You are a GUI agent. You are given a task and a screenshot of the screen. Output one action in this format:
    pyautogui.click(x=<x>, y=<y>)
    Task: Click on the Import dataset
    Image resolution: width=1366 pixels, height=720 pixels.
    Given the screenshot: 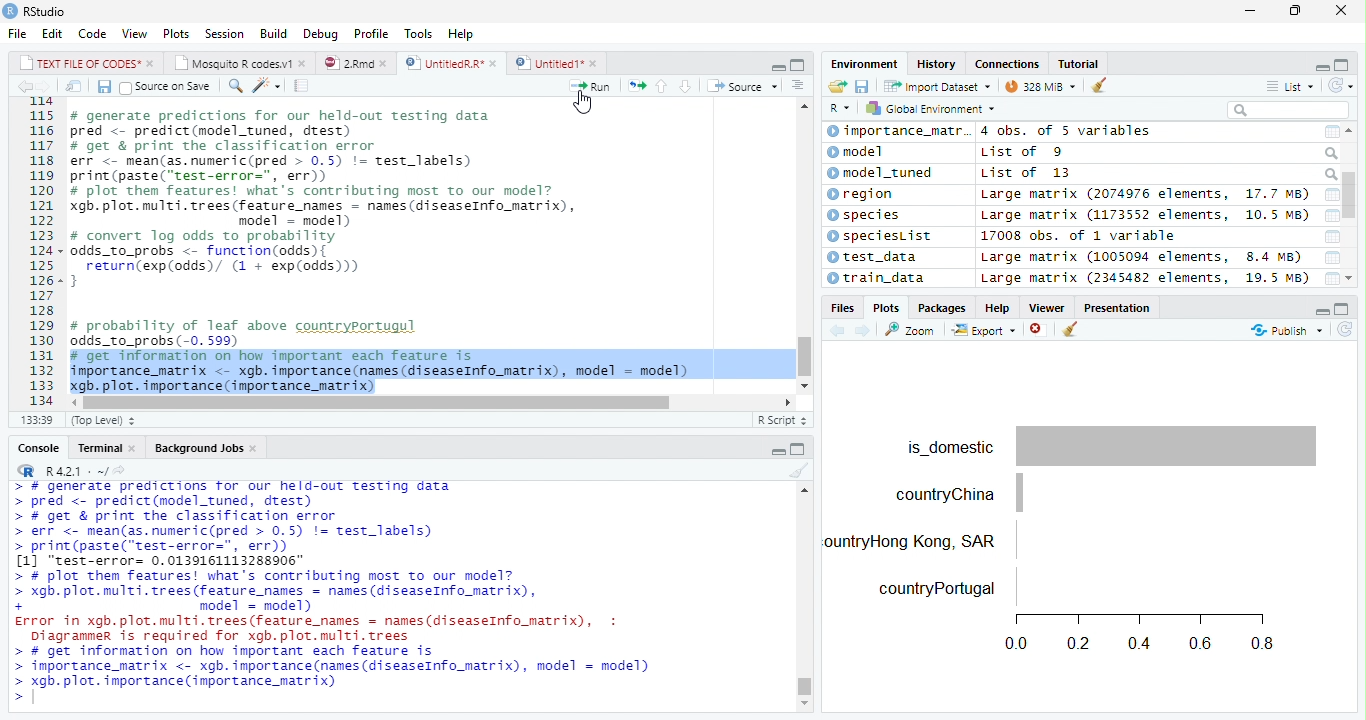 What is the action you would take?
    pyautogui.click(x=936, y=85)
    